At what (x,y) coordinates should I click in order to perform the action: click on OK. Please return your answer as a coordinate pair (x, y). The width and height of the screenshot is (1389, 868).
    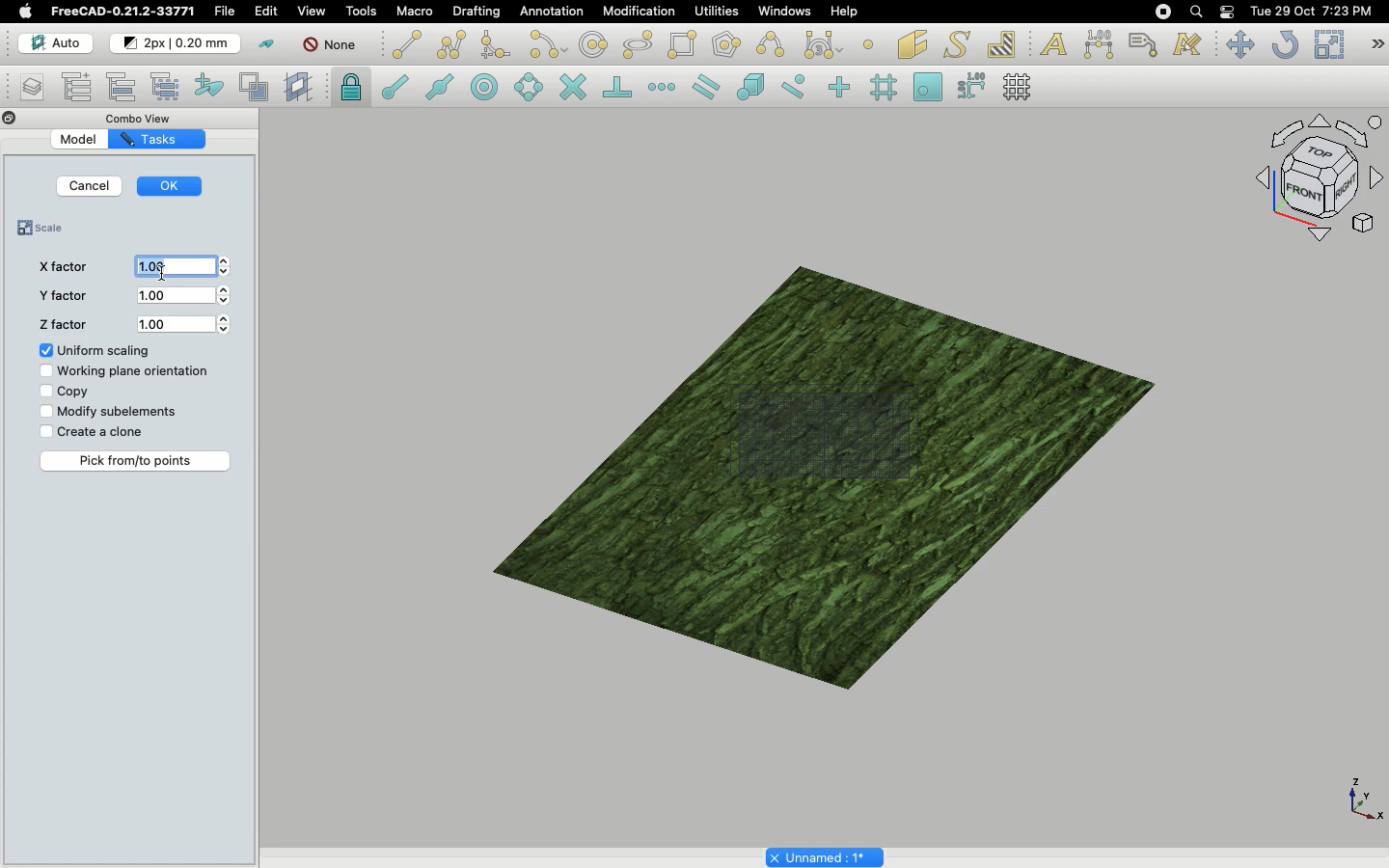
    Looking at the image, I should click on (173, 183).